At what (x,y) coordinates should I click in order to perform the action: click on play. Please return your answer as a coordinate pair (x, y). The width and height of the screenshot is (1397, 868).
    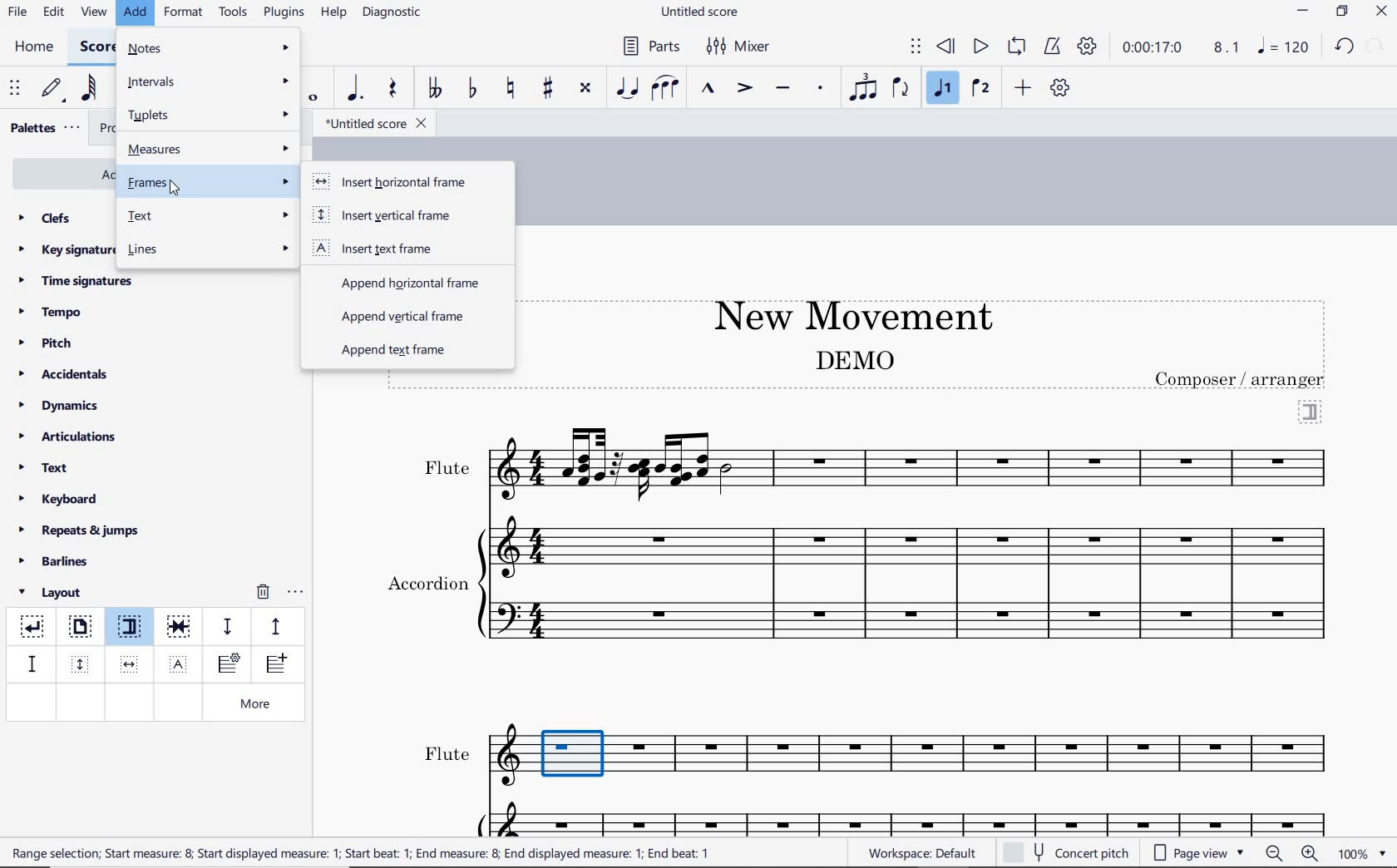
    Looking at the image, I should click on (979, 48).